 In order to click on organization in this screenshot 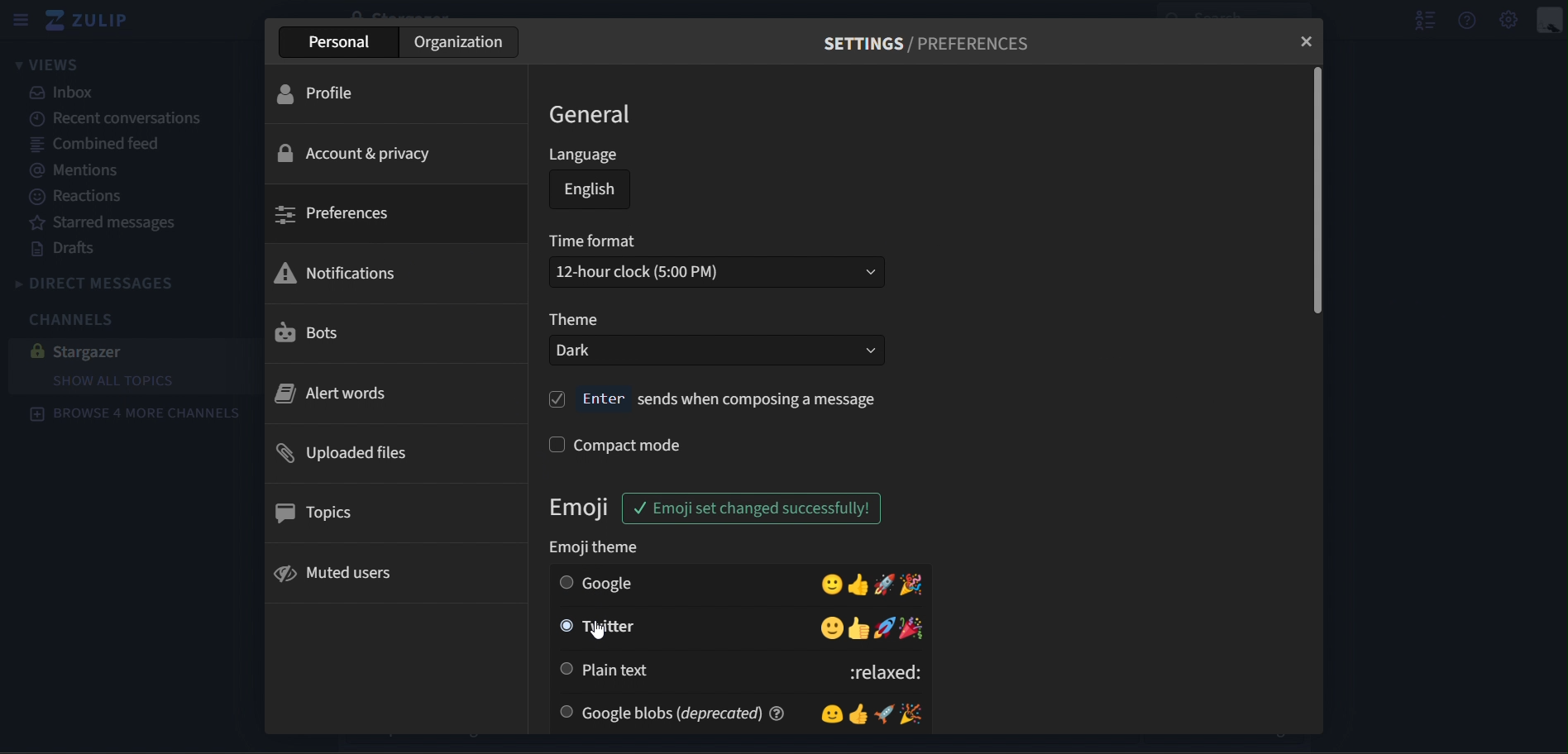, I will do `click(460, 41)`.